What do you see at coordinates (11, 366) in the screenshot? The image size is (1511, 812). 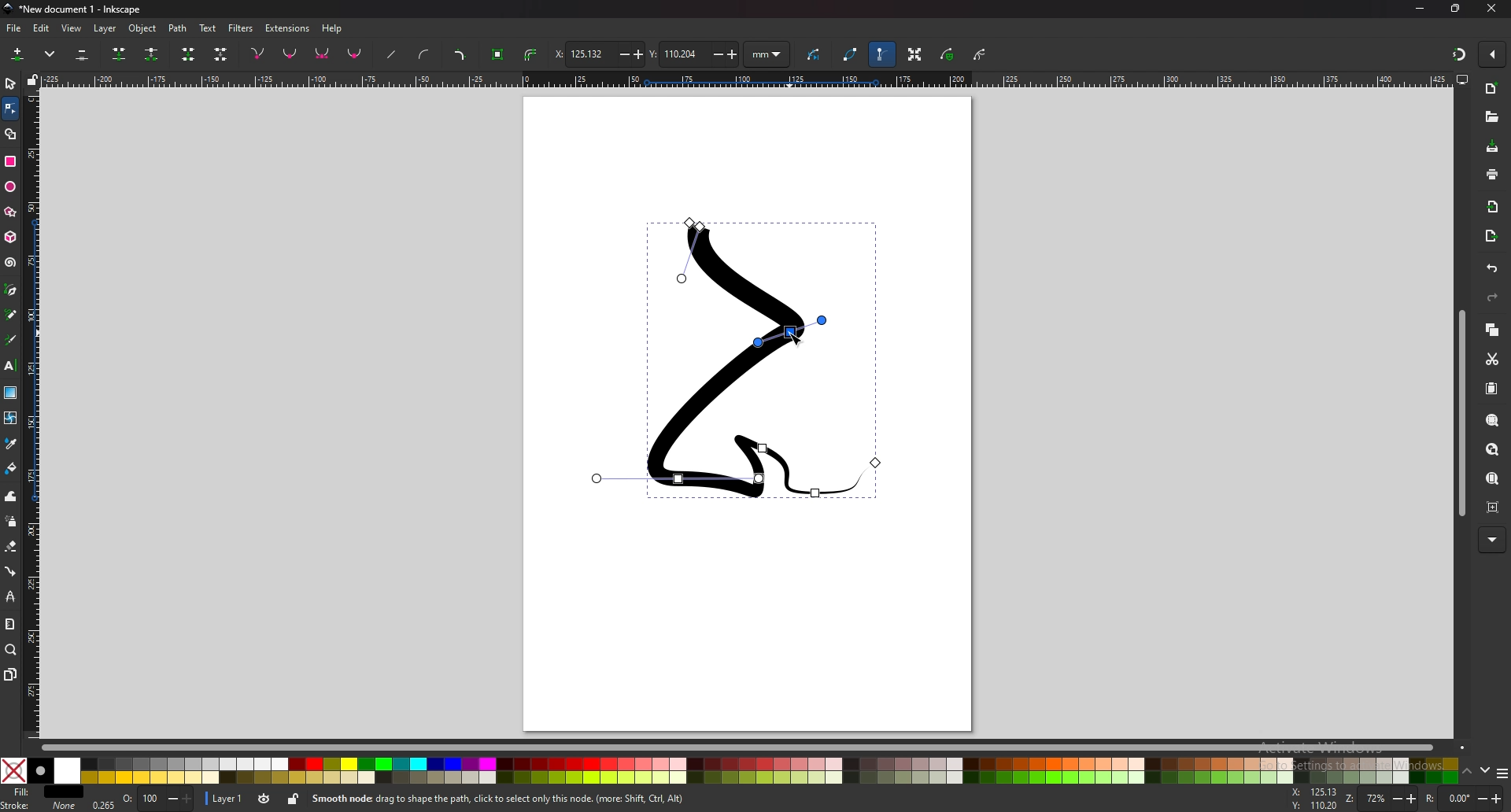 I see `text` at bounding box center [11, 366].